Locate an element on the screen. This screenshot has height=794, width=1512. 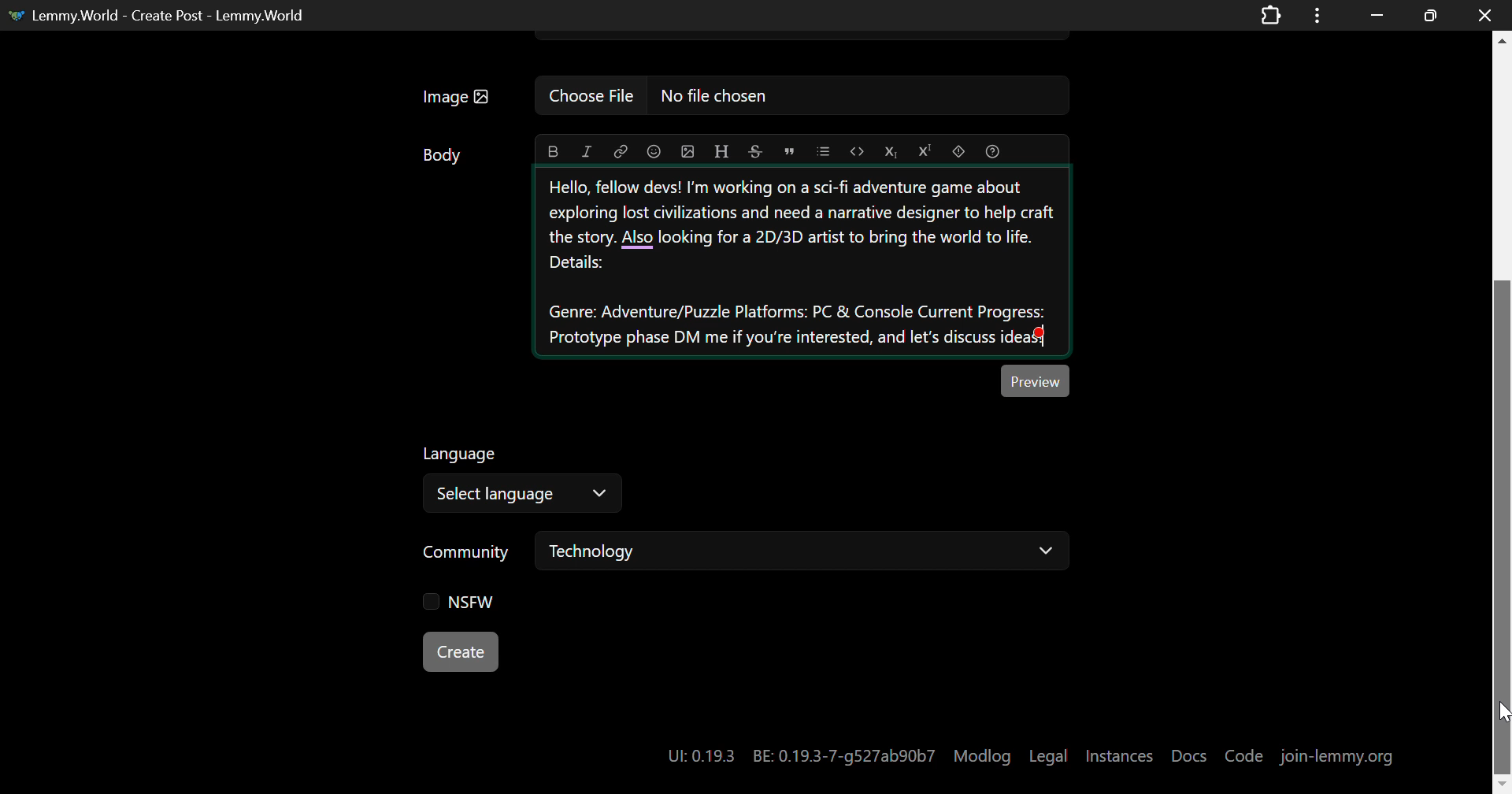
Lemmy.World - Create Post - Lemmy.World is located at coordinates (169, 14).